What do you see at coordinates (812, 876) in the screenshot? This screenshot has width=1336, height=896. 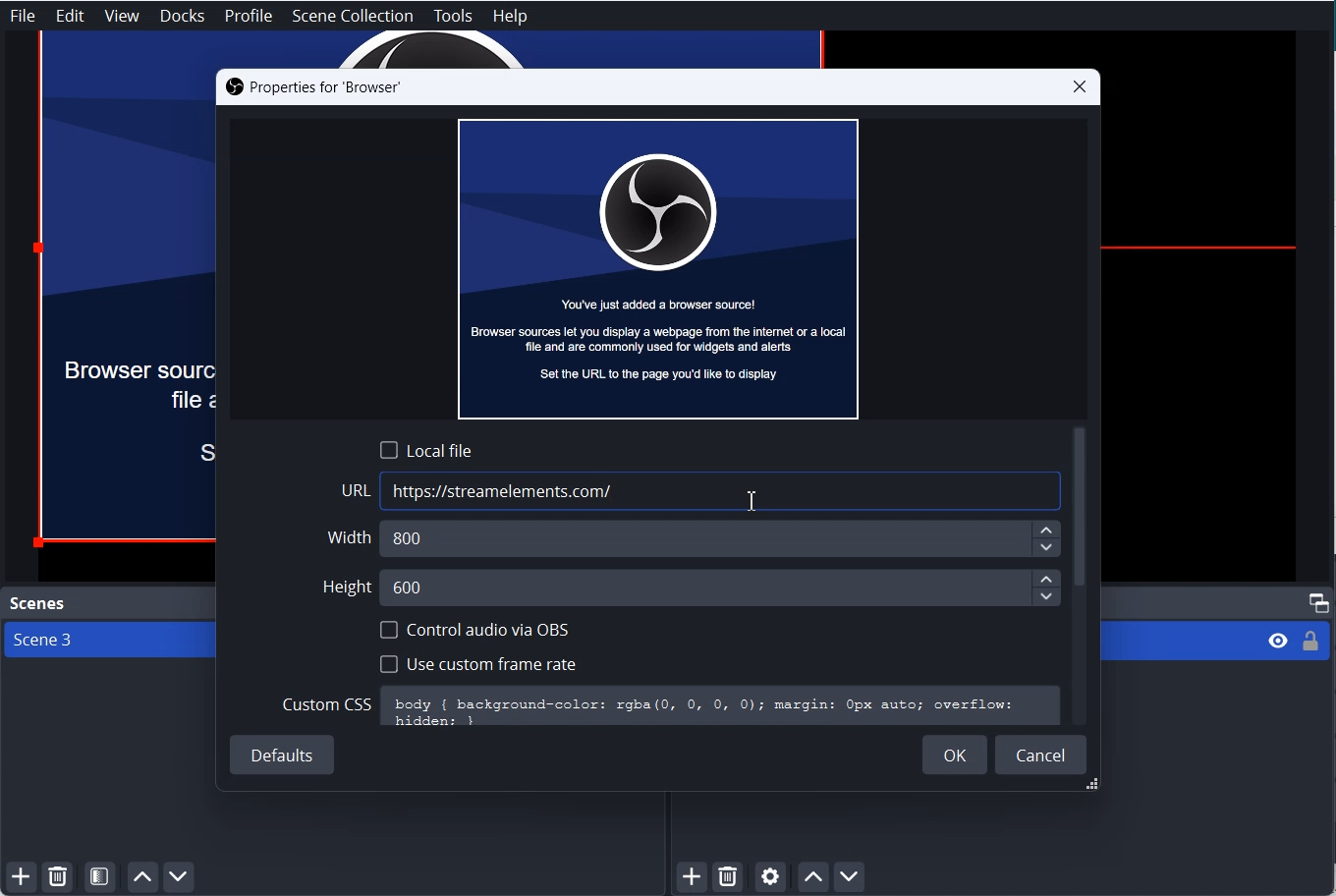 I see `Move Source up` at bounding box center [812, 876].